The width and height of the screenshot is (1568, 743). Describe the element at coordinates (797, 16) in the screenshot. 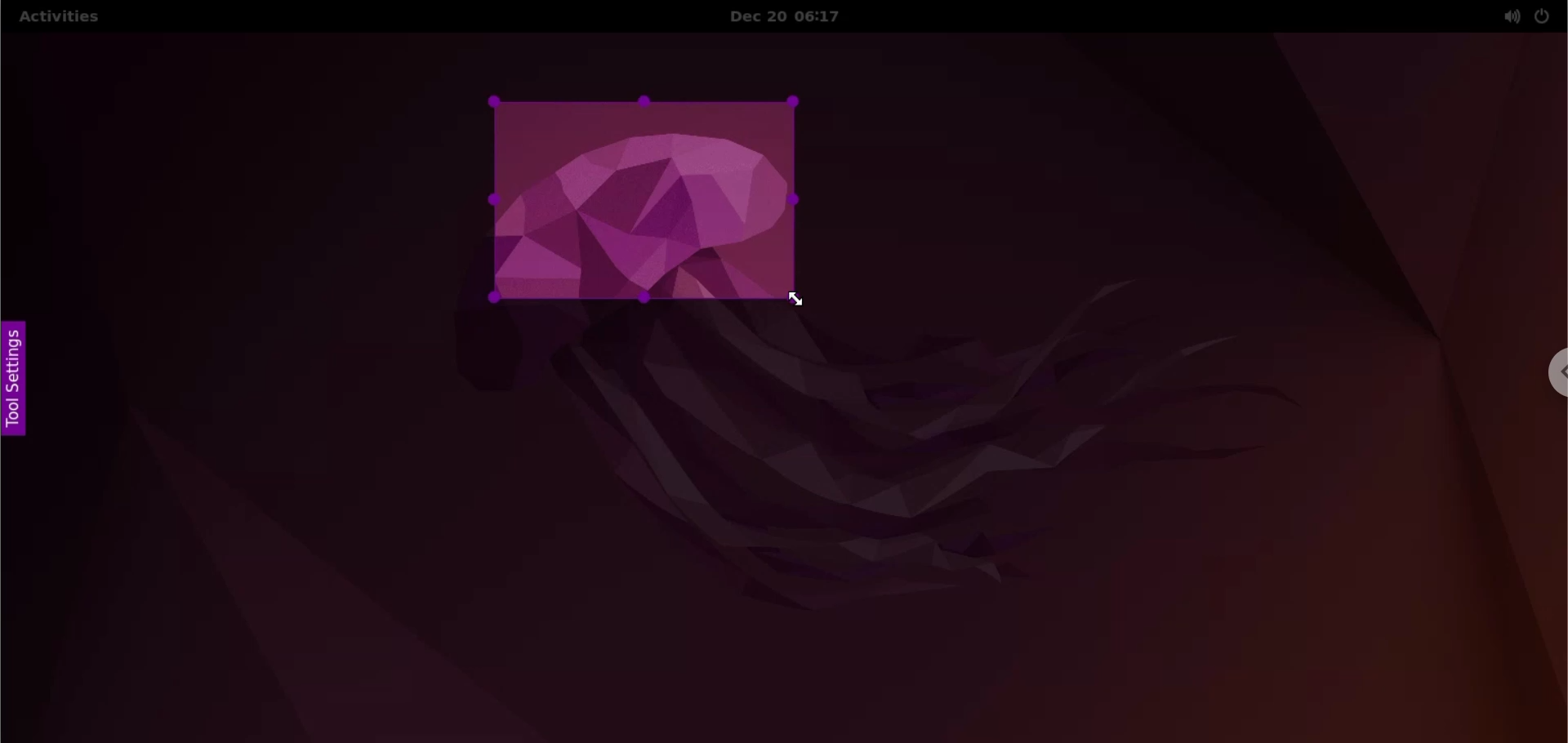

I see `Dec 20 06:17` at that location.